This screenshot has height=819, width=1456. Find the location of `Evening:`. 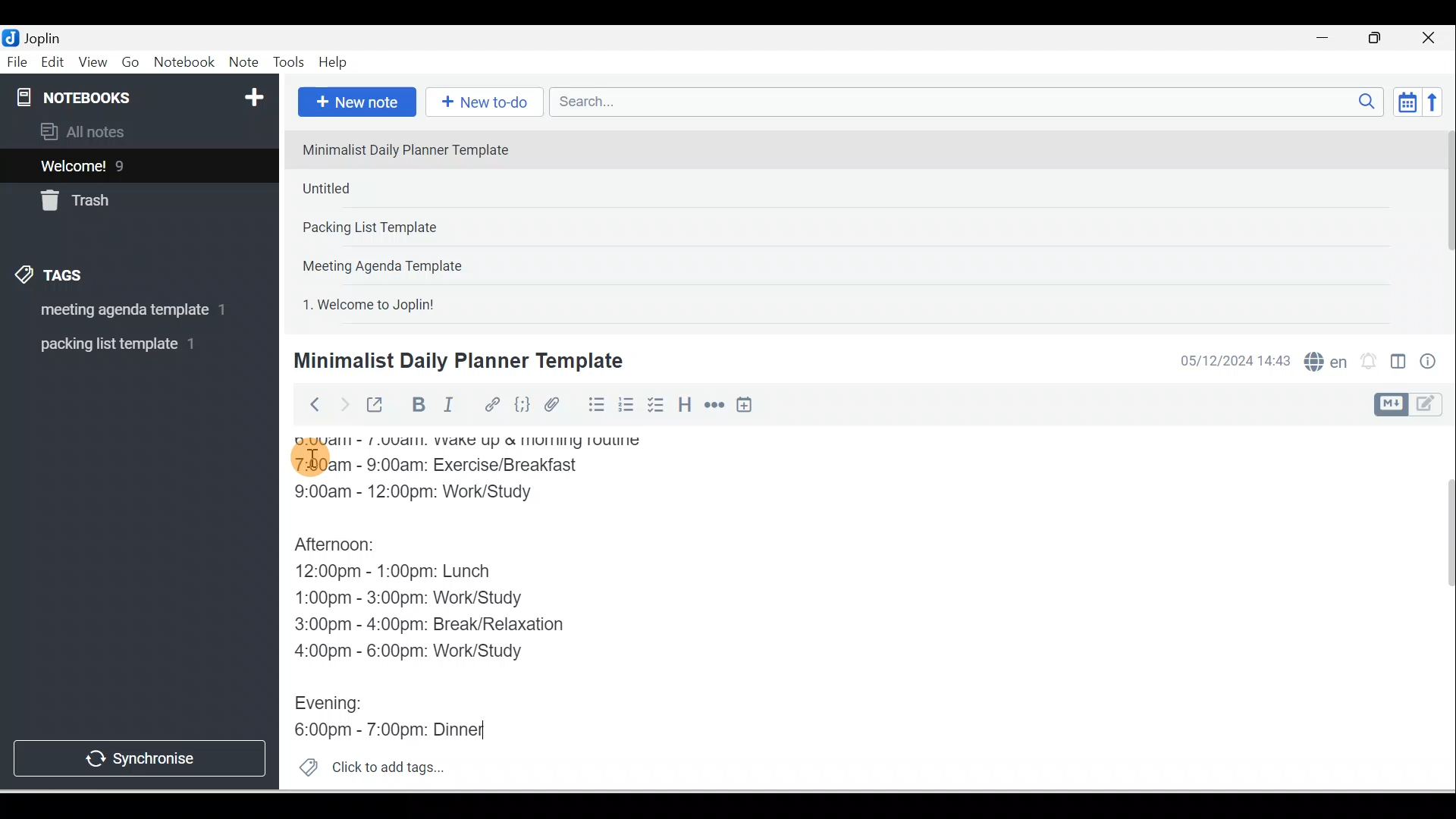

Evening: is located at coordinates (339, 706).